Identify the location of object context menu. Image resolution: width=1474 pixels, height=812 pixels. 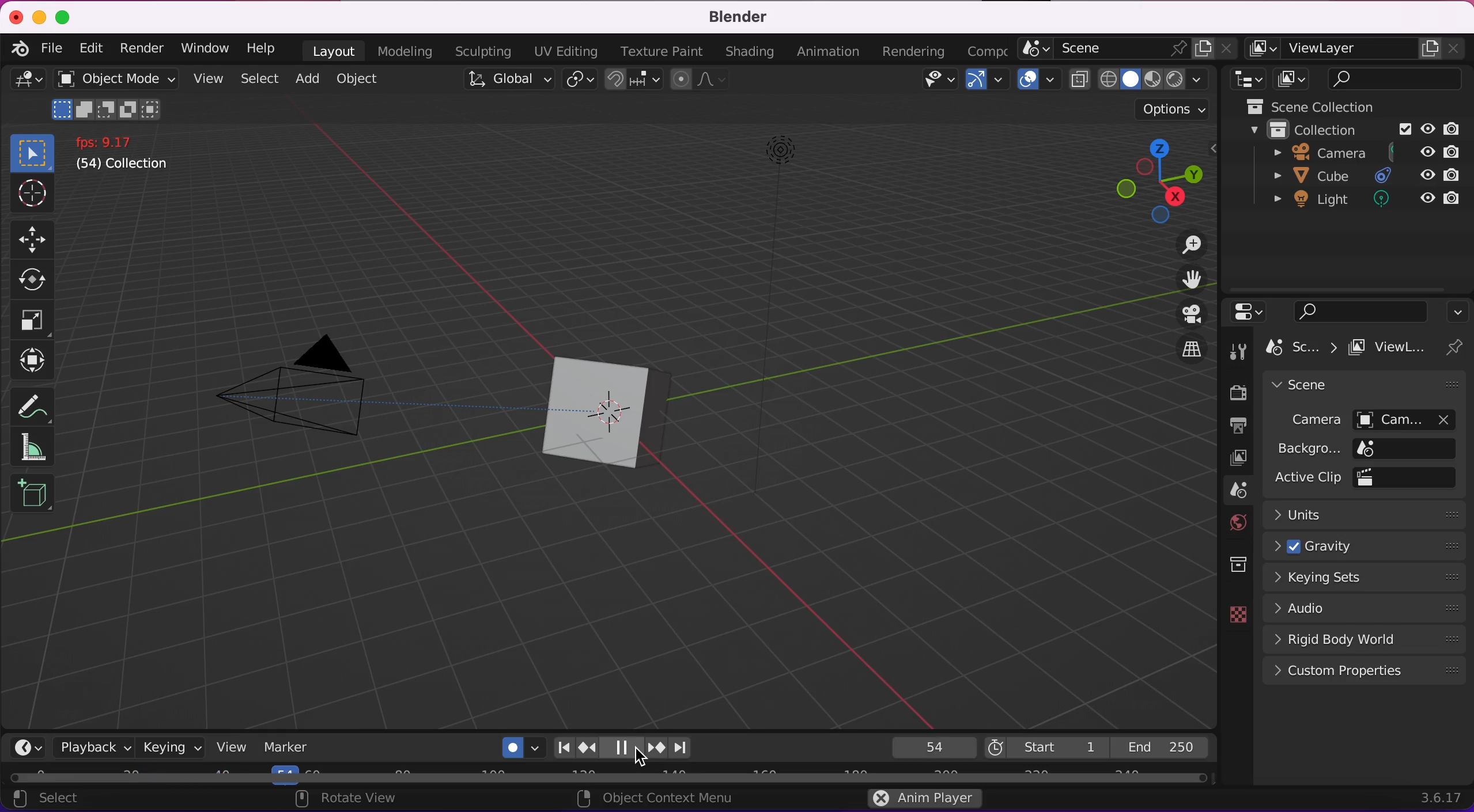
(654, 798).